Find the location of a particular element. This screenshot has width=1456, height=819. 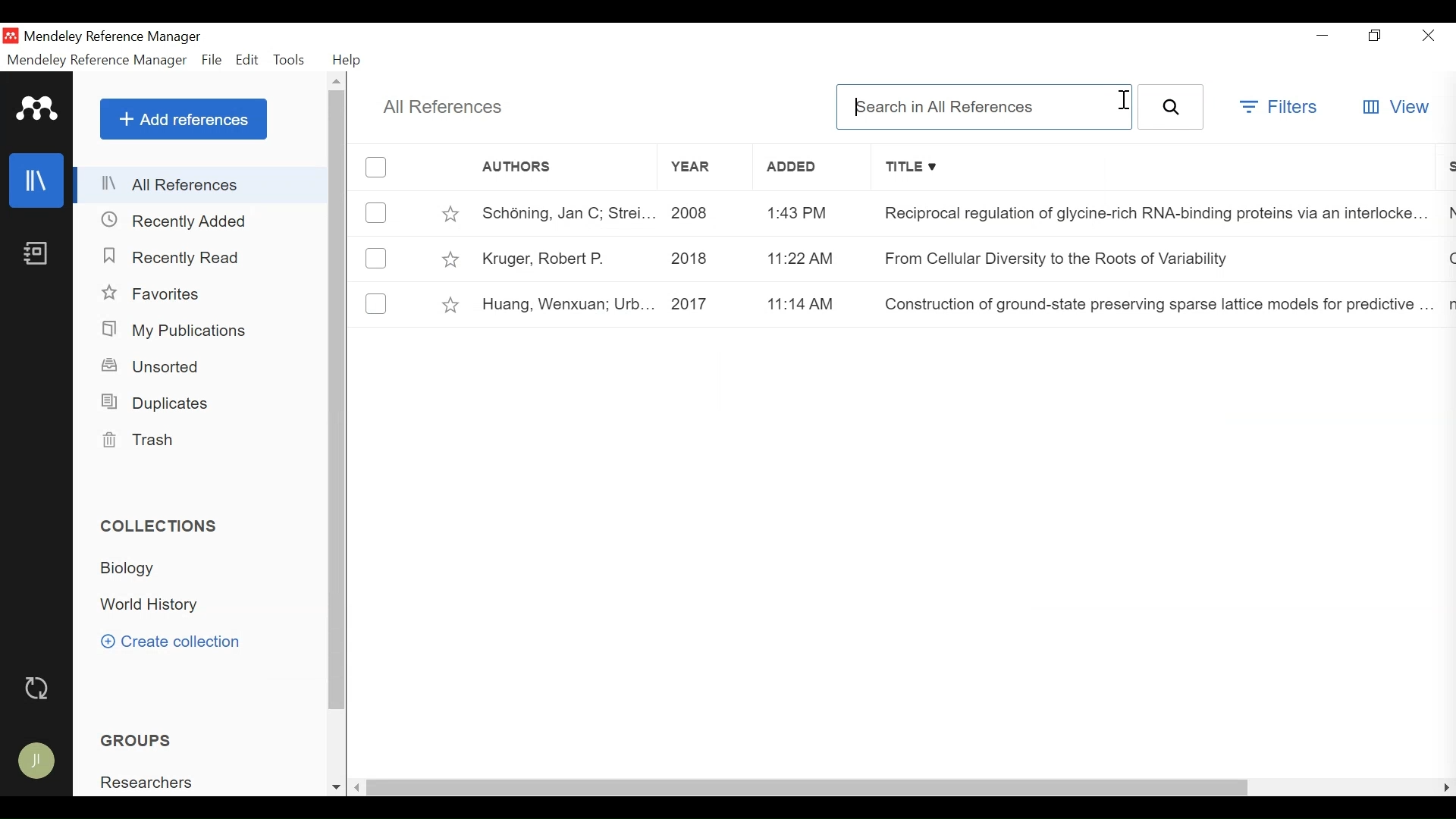

Filter is located at coordinates (1280, 109).